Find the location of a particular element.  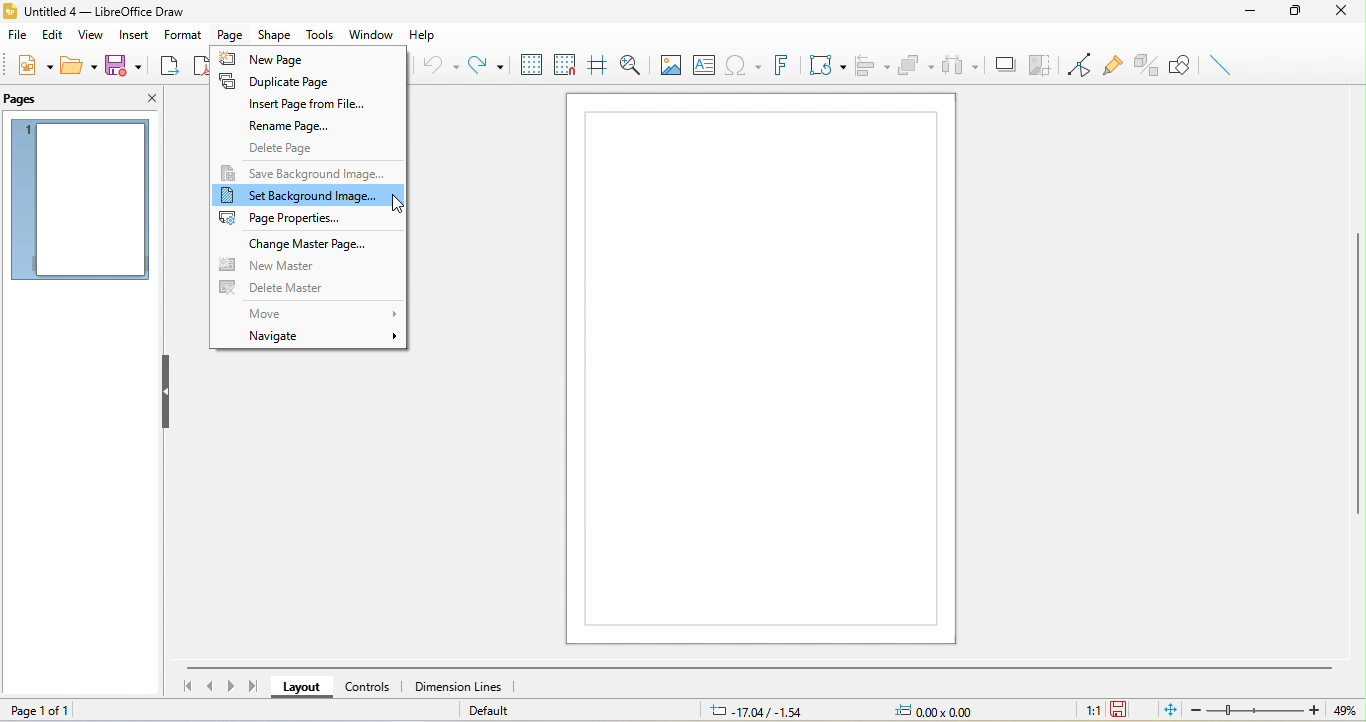

align object is located at coordinates (872, 65).